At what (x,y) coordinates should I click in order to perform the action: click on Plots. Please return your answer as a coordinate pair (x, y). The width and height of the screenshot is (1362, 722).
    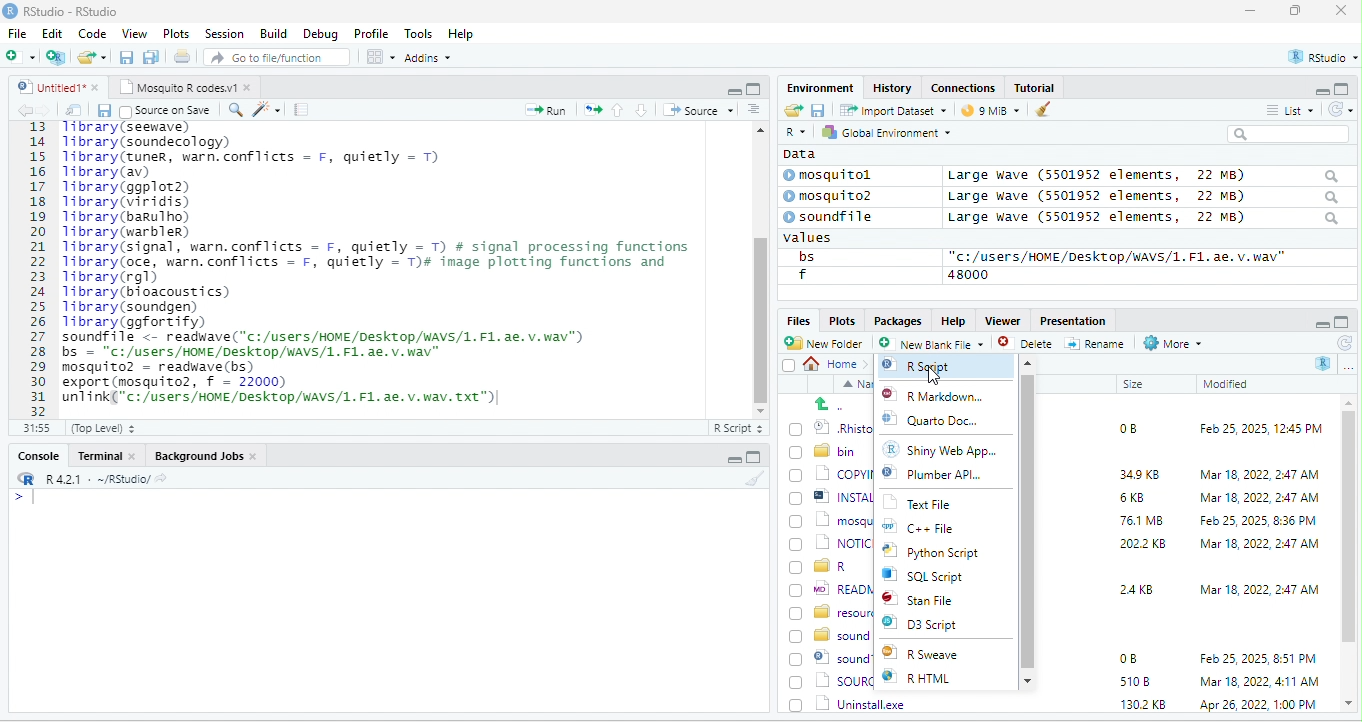
    Looking at the image, I should click on (177, 33).